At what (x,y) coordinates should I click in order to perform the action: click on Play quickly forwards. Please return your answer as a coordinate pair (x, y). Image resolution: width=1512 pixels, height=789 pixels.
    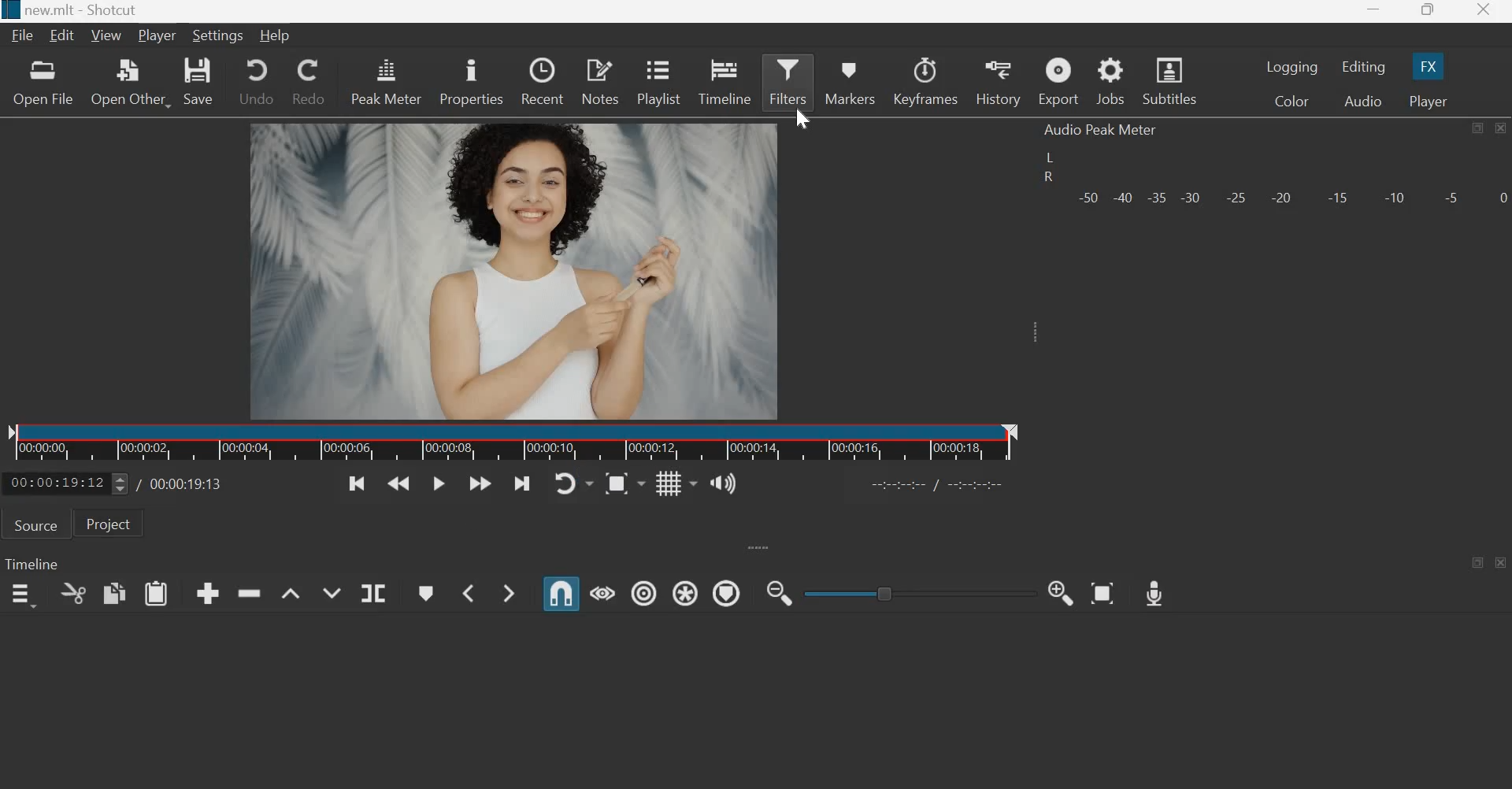
    Looking at the image, I should click on (476, 481).